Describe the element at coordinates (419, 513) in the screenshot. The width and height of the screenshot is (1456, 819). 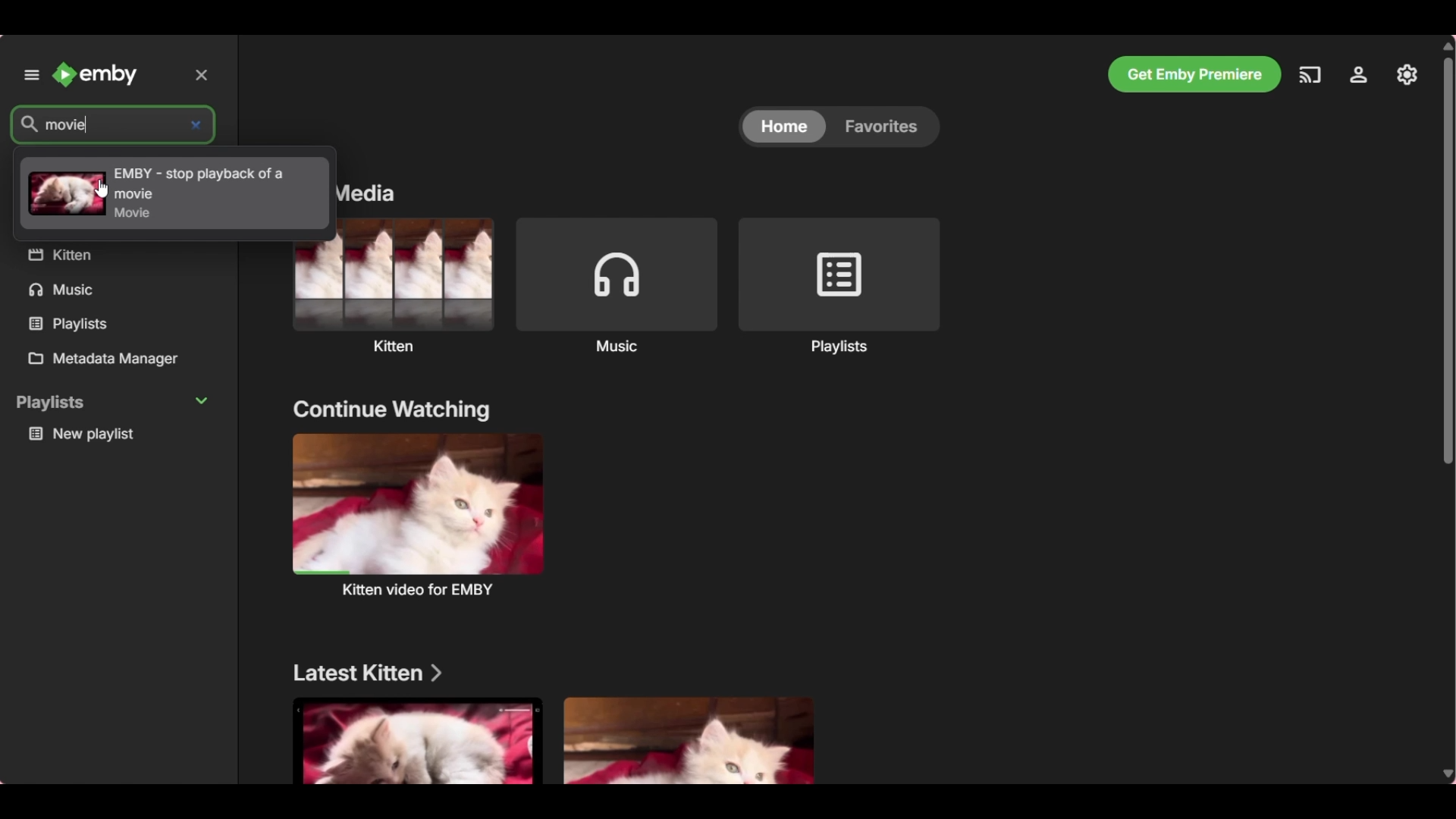
I see `kitten video for EMBY` at that location.